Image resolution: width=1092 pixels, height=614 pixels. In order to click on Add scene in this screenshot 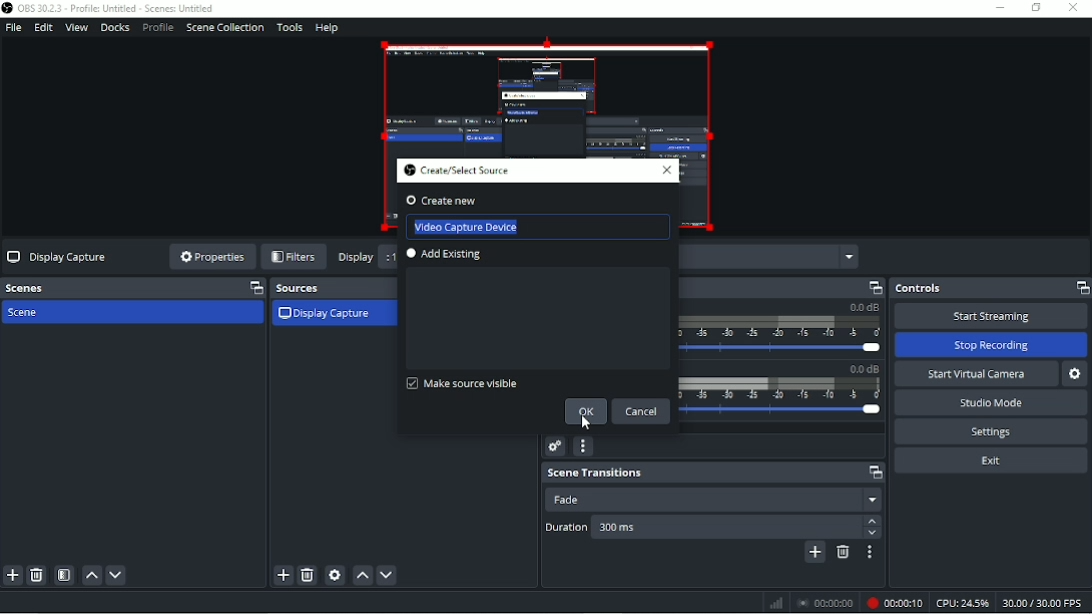, I will do `click(12, 577)`.